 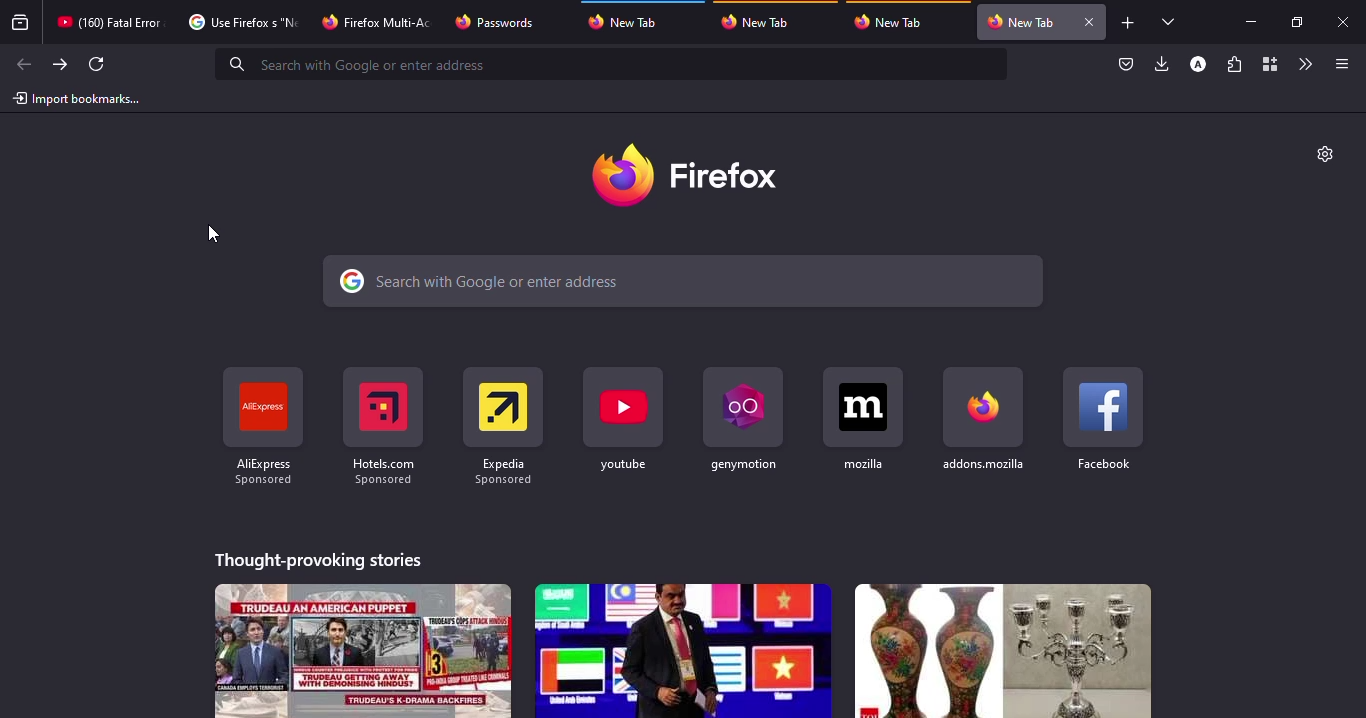 I want to click on extensions, so click(x=1233, y=64).